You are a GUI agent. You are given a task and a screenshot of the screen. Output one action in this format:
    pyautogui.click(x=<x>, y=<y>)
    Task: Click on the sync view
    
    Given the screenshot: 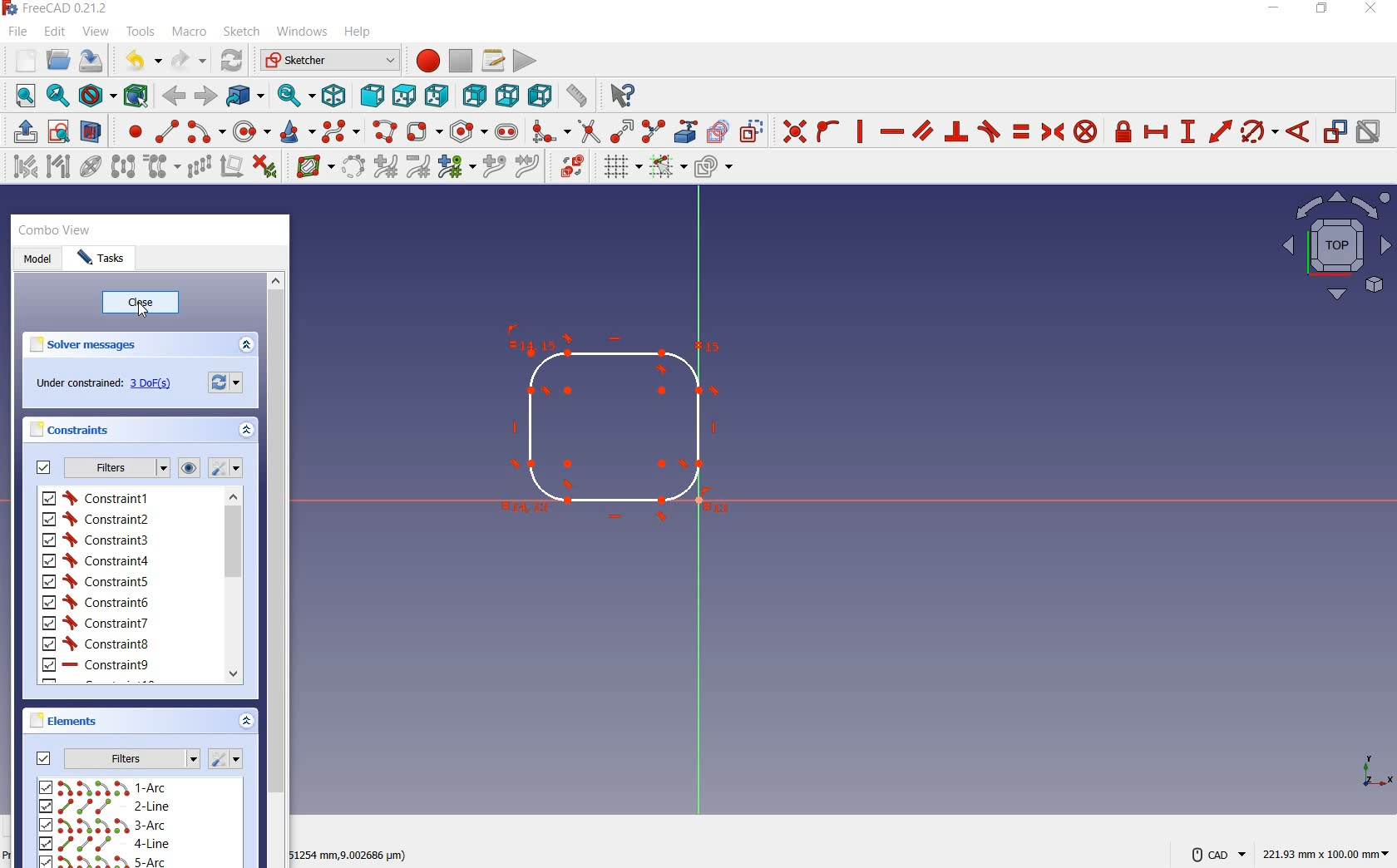 What is the action you would take?
    pyautogui.click(x=298, y=95)
    